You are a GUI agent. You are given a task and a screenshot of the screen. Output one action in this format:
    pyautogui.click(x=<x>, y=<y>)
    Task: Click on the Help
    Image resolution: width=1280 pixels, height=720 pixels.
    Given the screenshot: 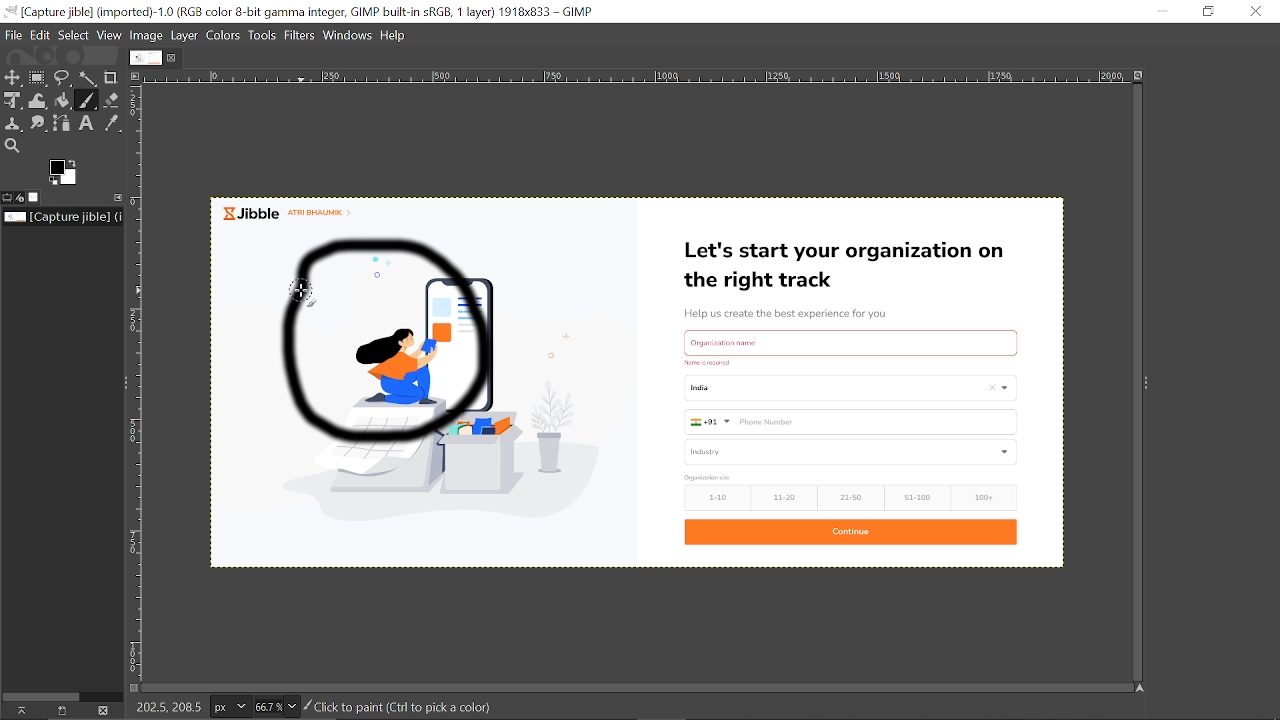 What is the action you would take?
    pyautogui.click(x=395, y=36)
    